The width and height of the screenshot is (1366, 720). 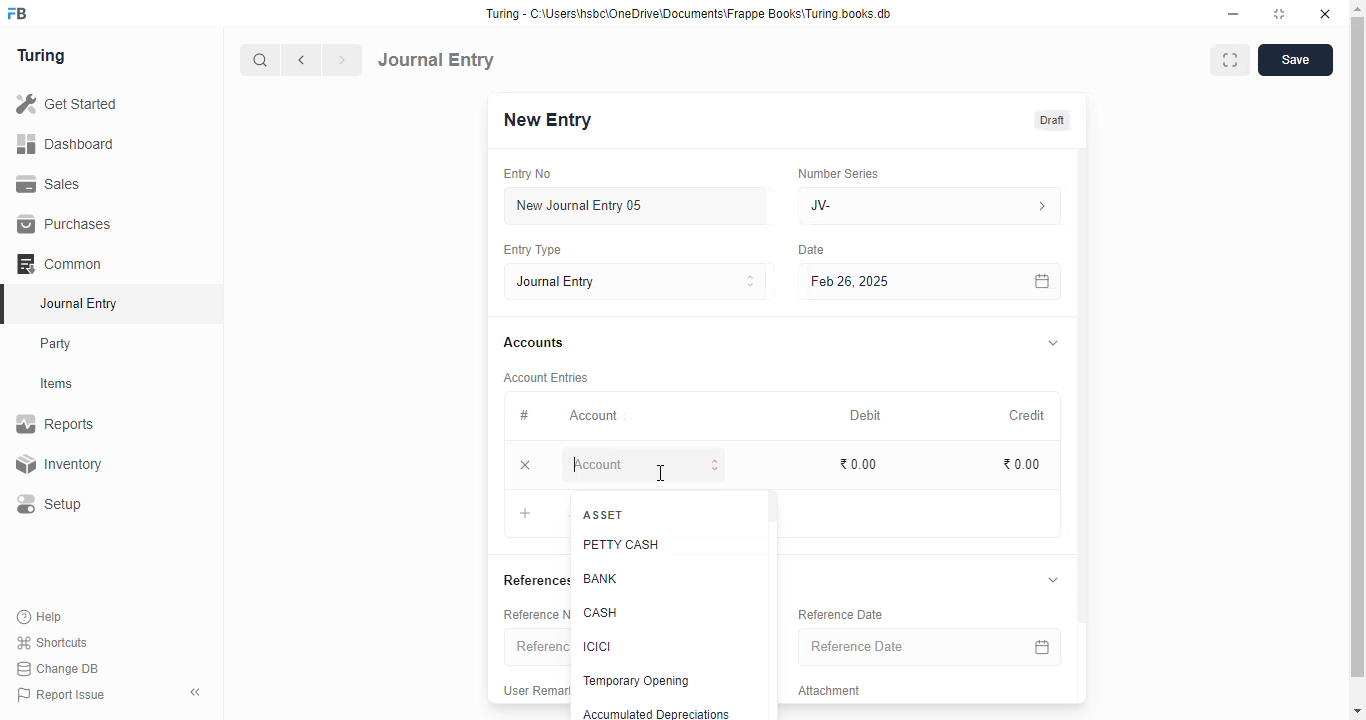 I want to click on accounts, so click(x=533, y=343).